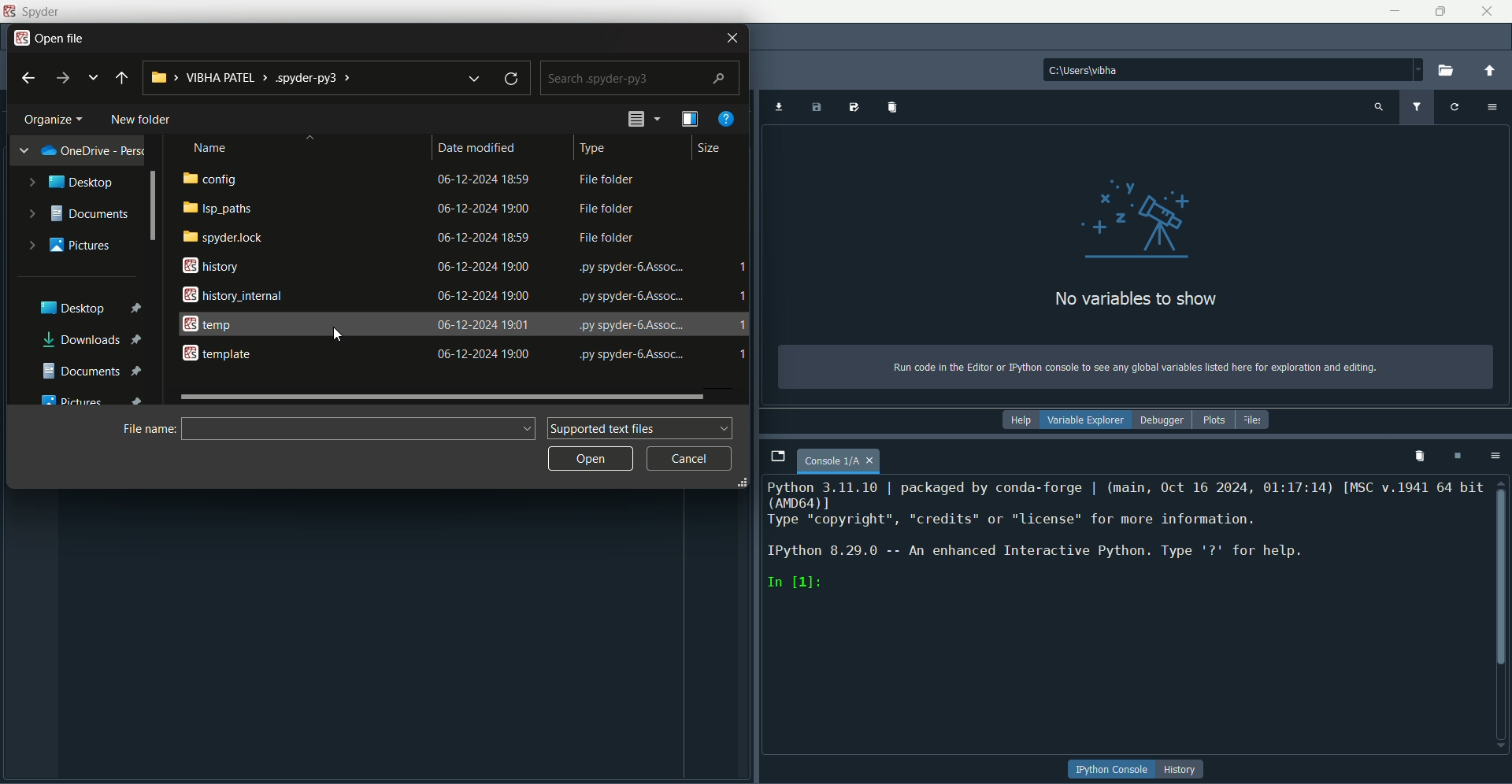 This screenshot has height=784, width=1512. I want to click on history internal, so click(231, 294).